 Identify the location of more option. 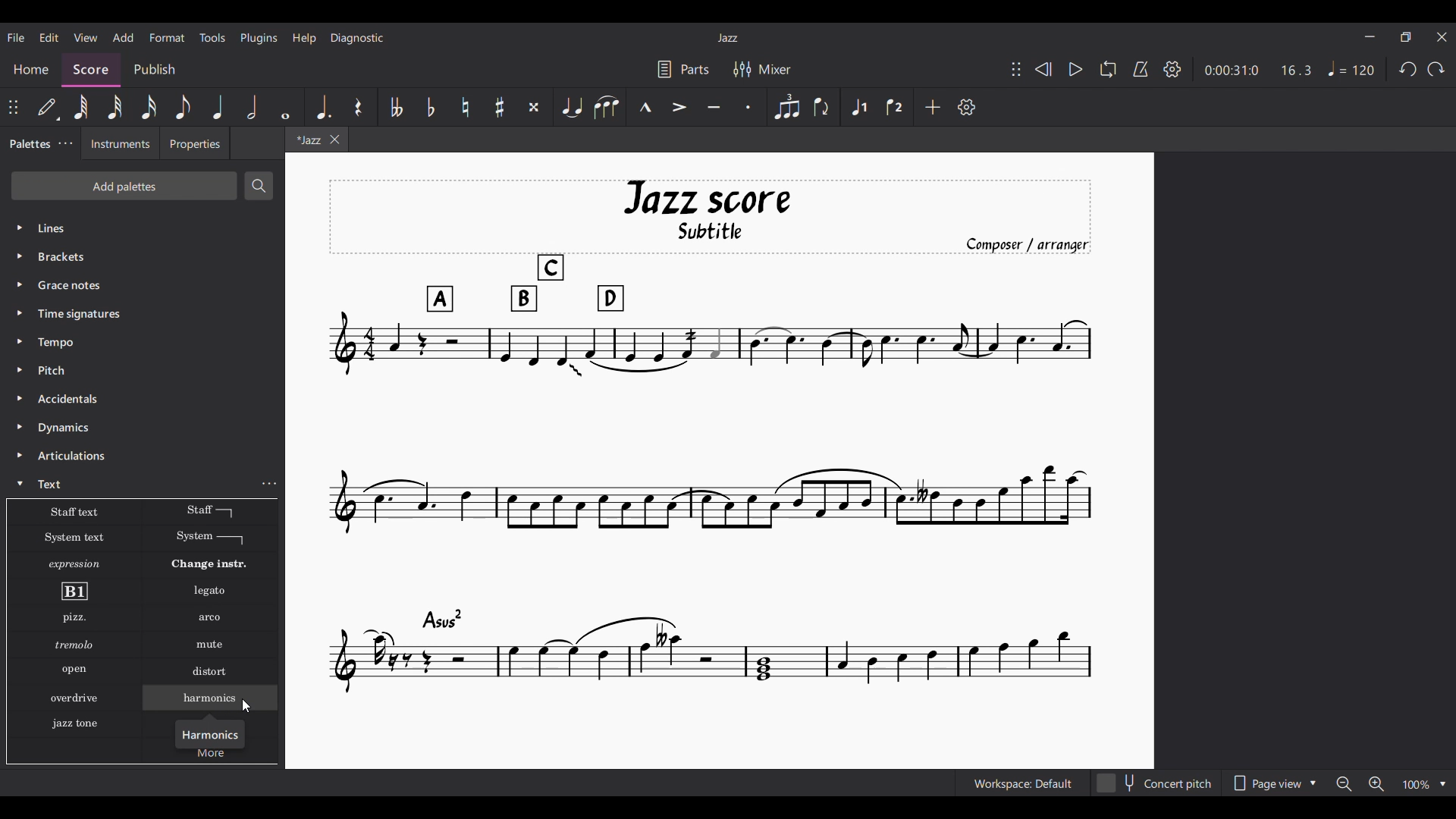
(271, 484).